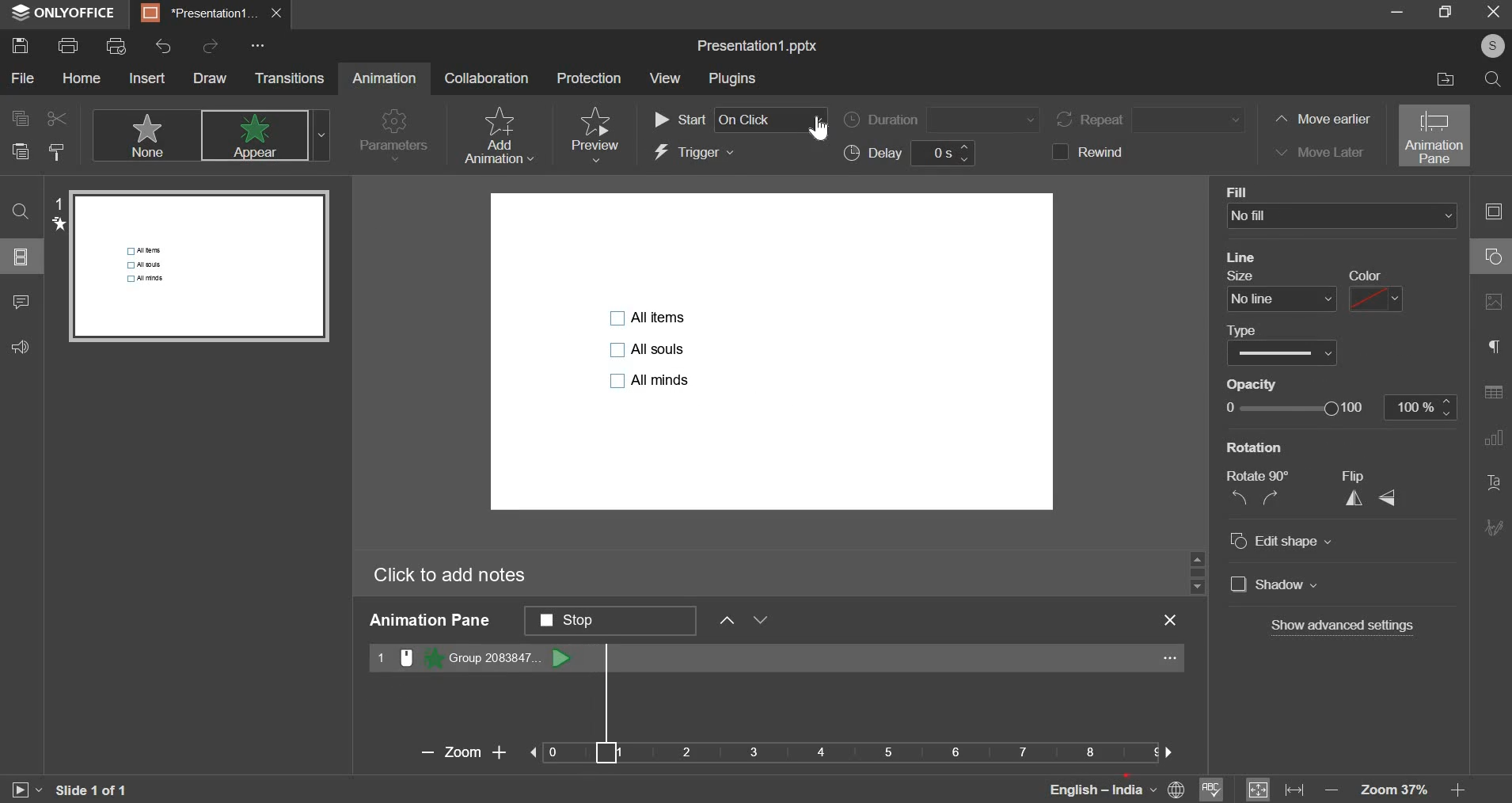 The width and height of the screenshot is (1512, 803). What do you see at coordinates (1282, 299) in the screenshot?
I see `line size` at bounding box center [1282, 299].